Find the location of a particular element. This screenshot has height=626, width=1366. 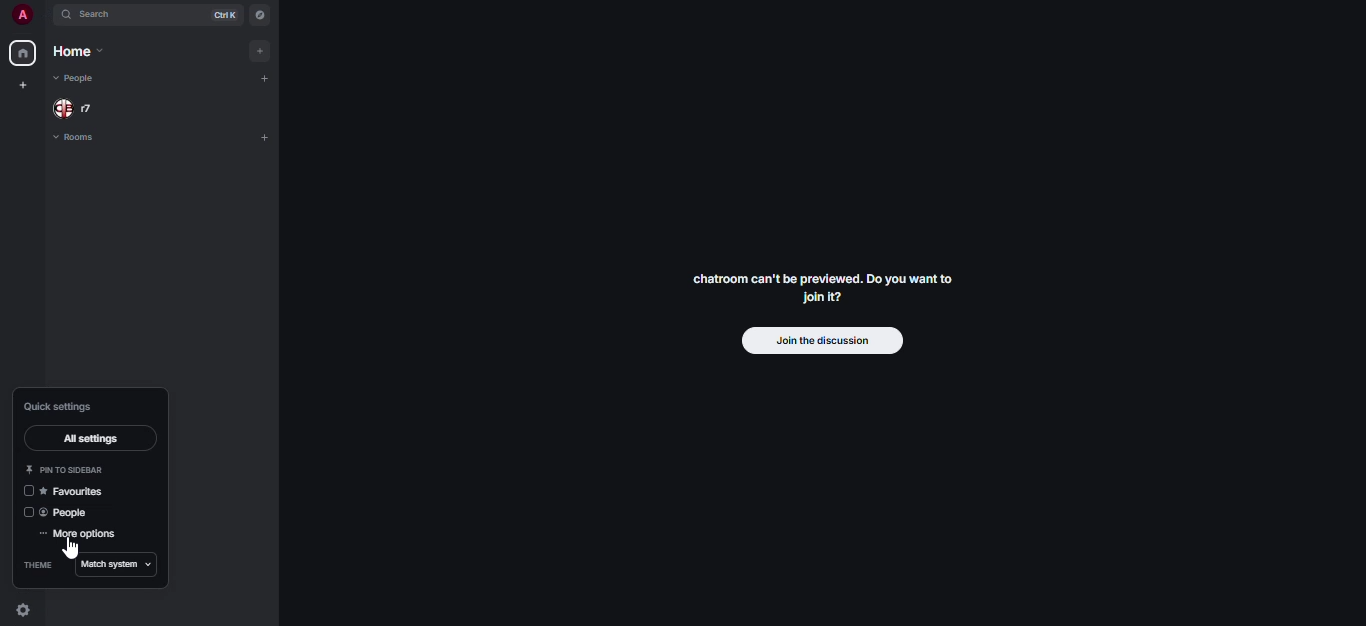

click to enable is located at coordinates (29, 513).